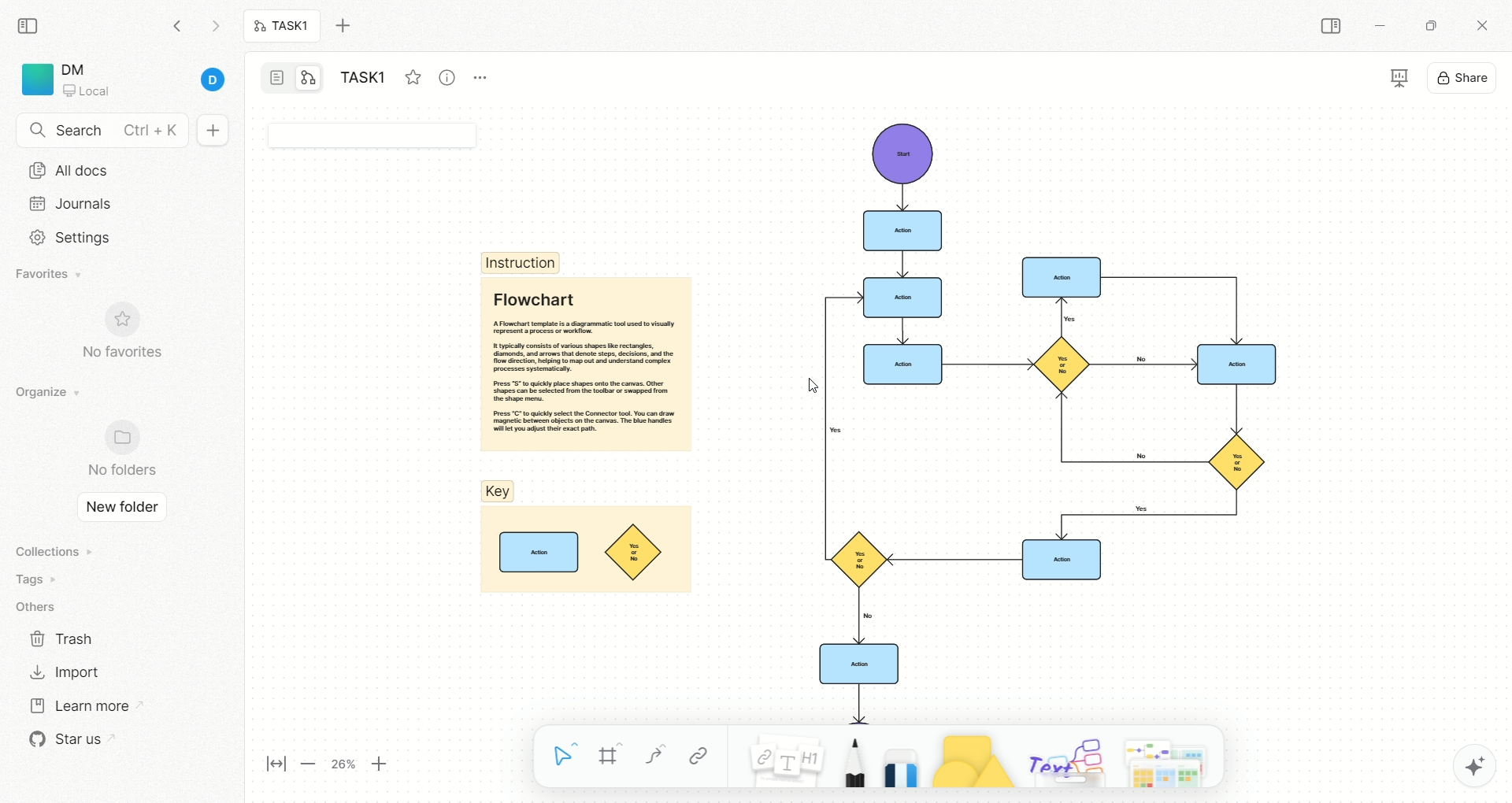  Describe the element at coordinates (1171, 760) in the screenshot. I see `Templates` at that location.